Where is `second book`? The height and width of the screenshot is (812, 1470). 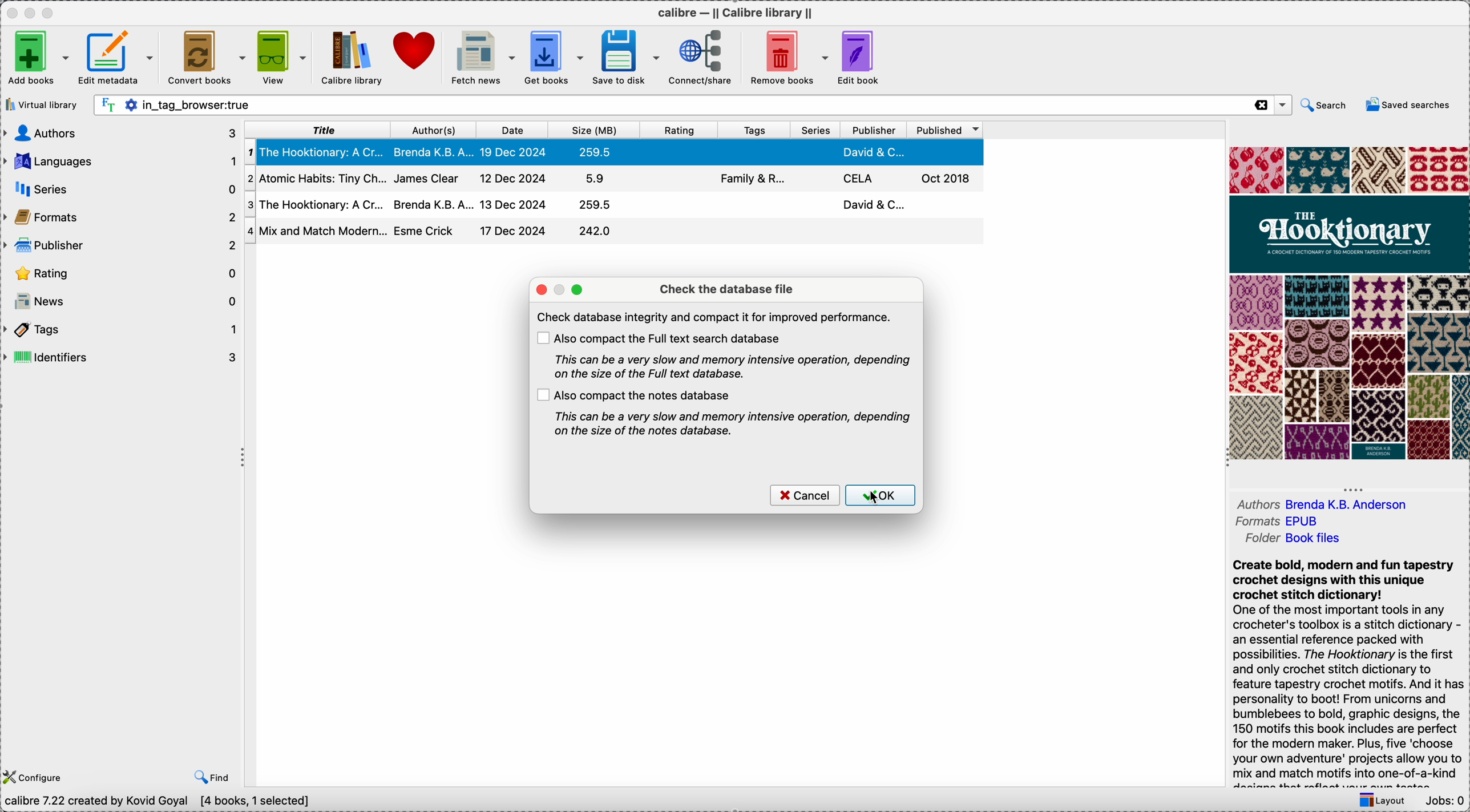 second book is located at coordinates (613, 180).